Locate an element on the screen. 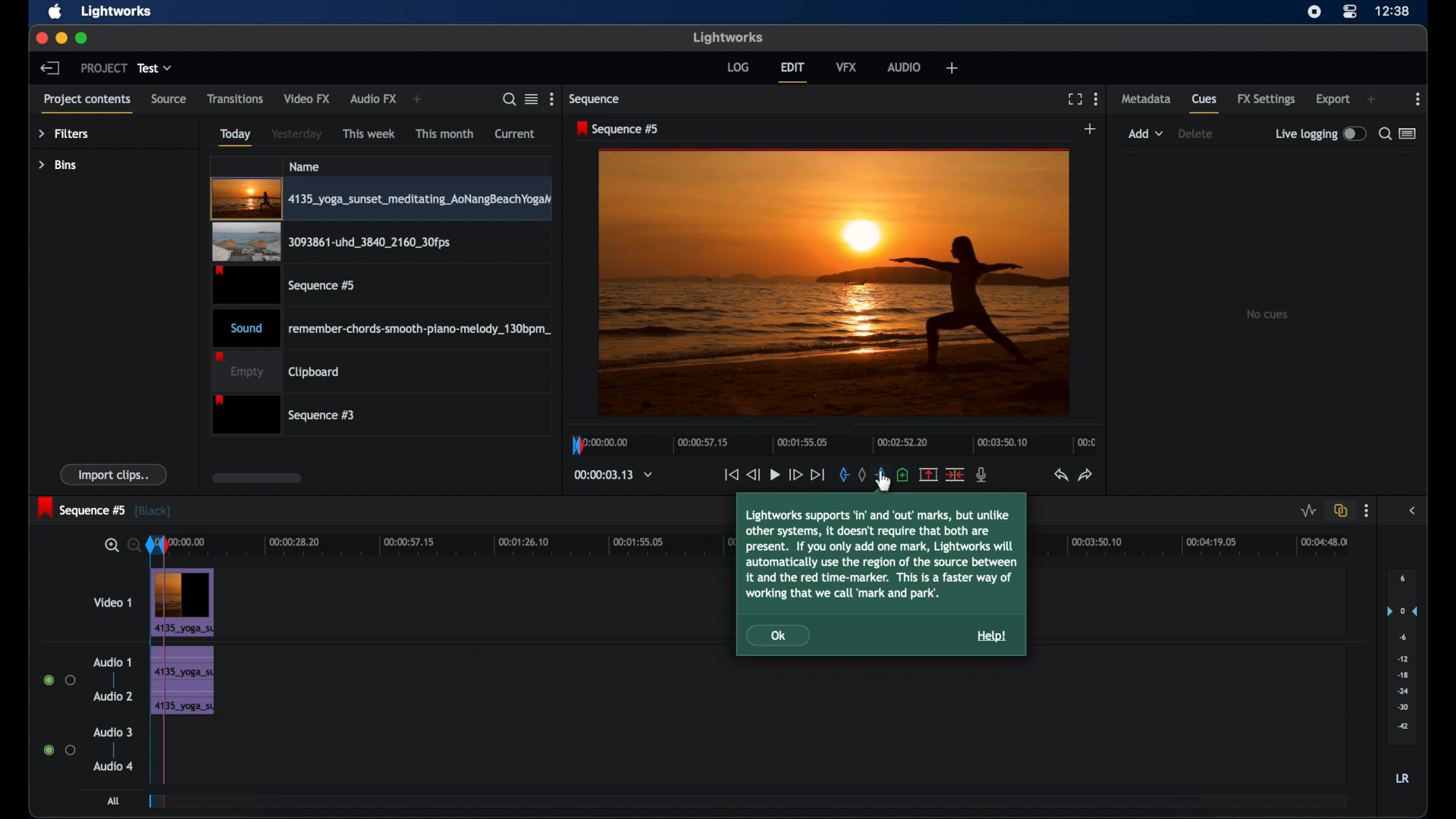 This screenshot has width=1456, height=819. this month is located at coordinates (444, 133).